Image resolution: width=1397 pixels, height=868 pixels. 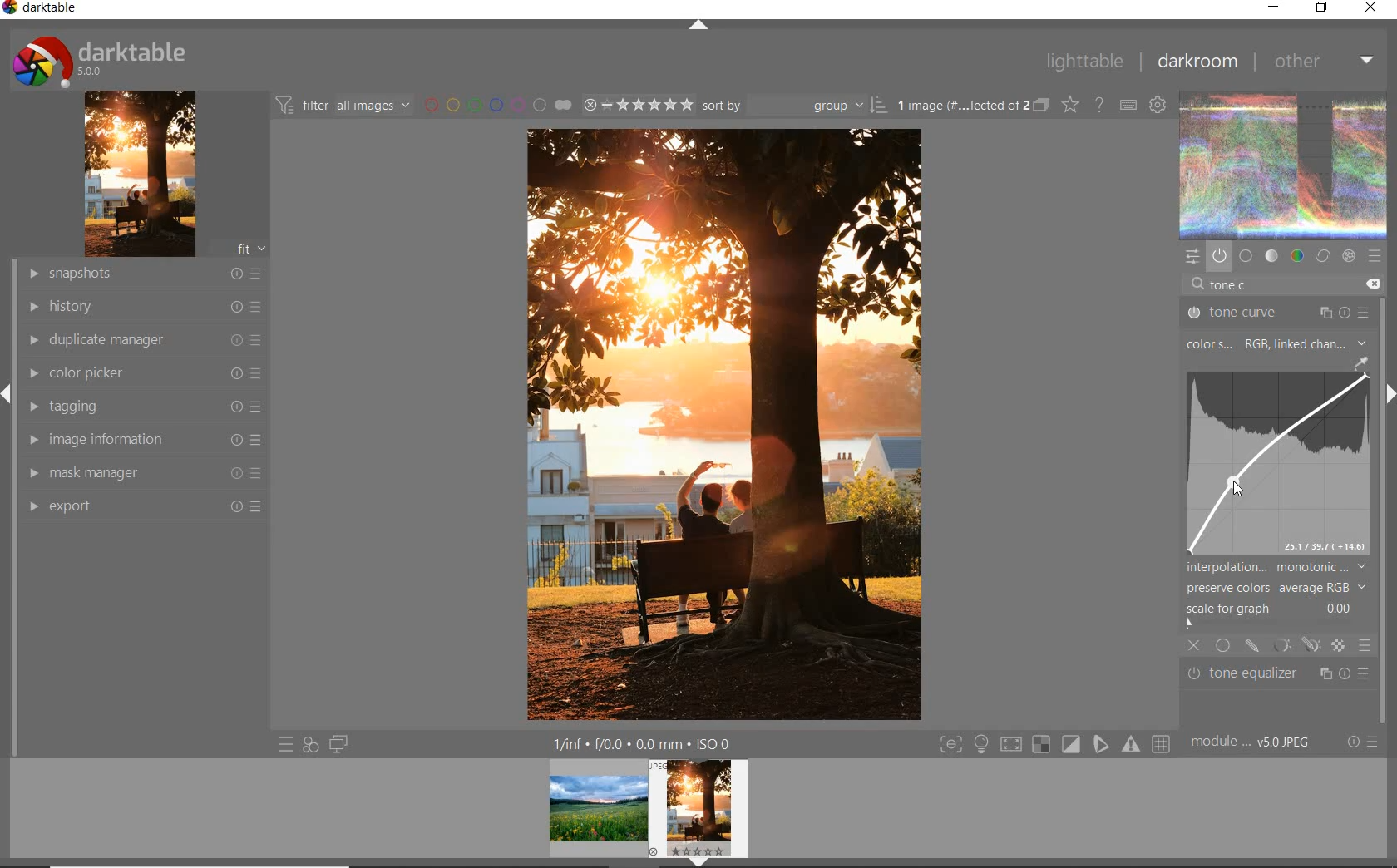 What do you see at coordinates (1361, 364) in the screenshot?
I see `picker tool` at bounding box center [1361, 364].